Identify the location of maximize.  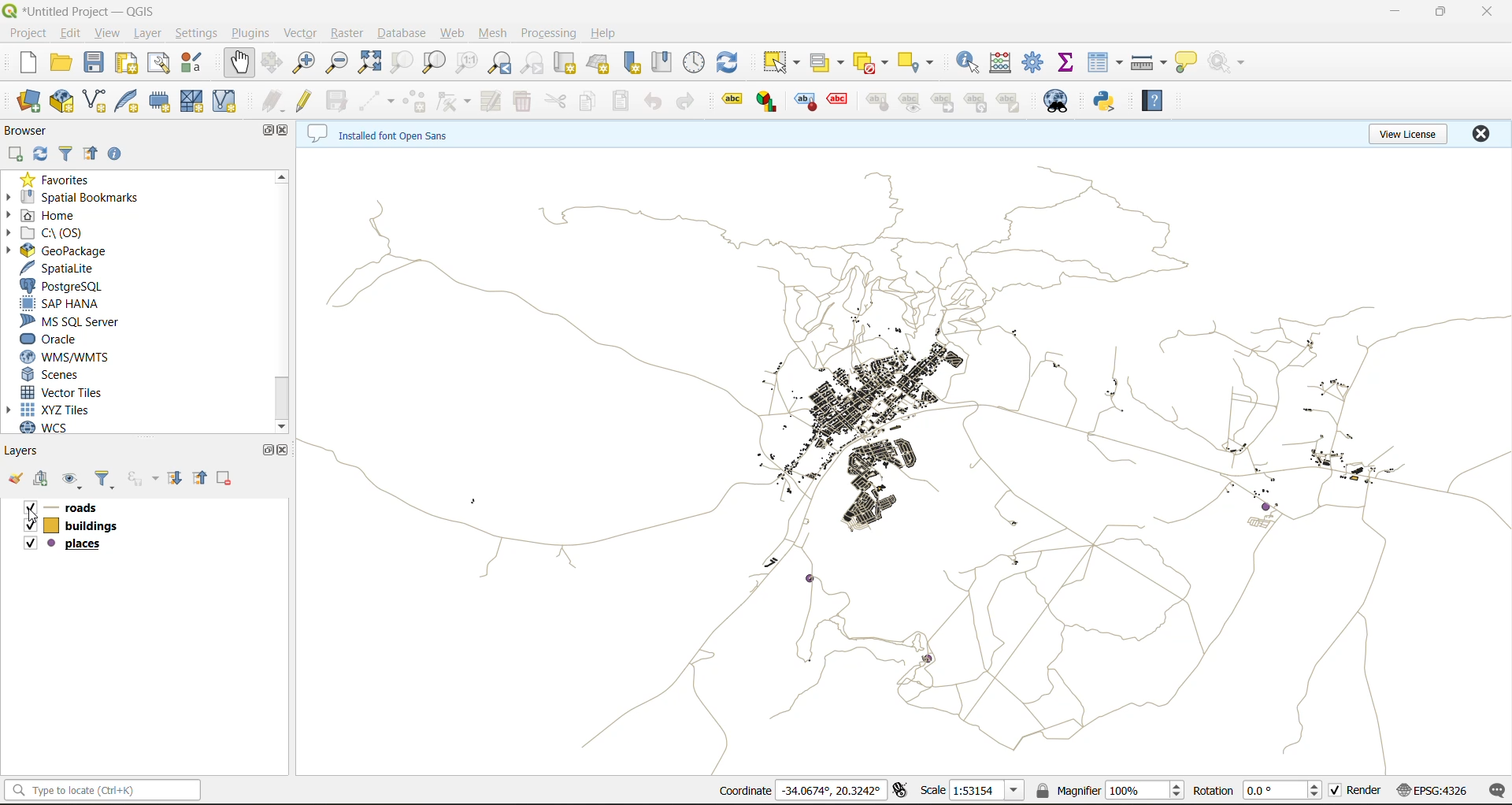
(270, 132).